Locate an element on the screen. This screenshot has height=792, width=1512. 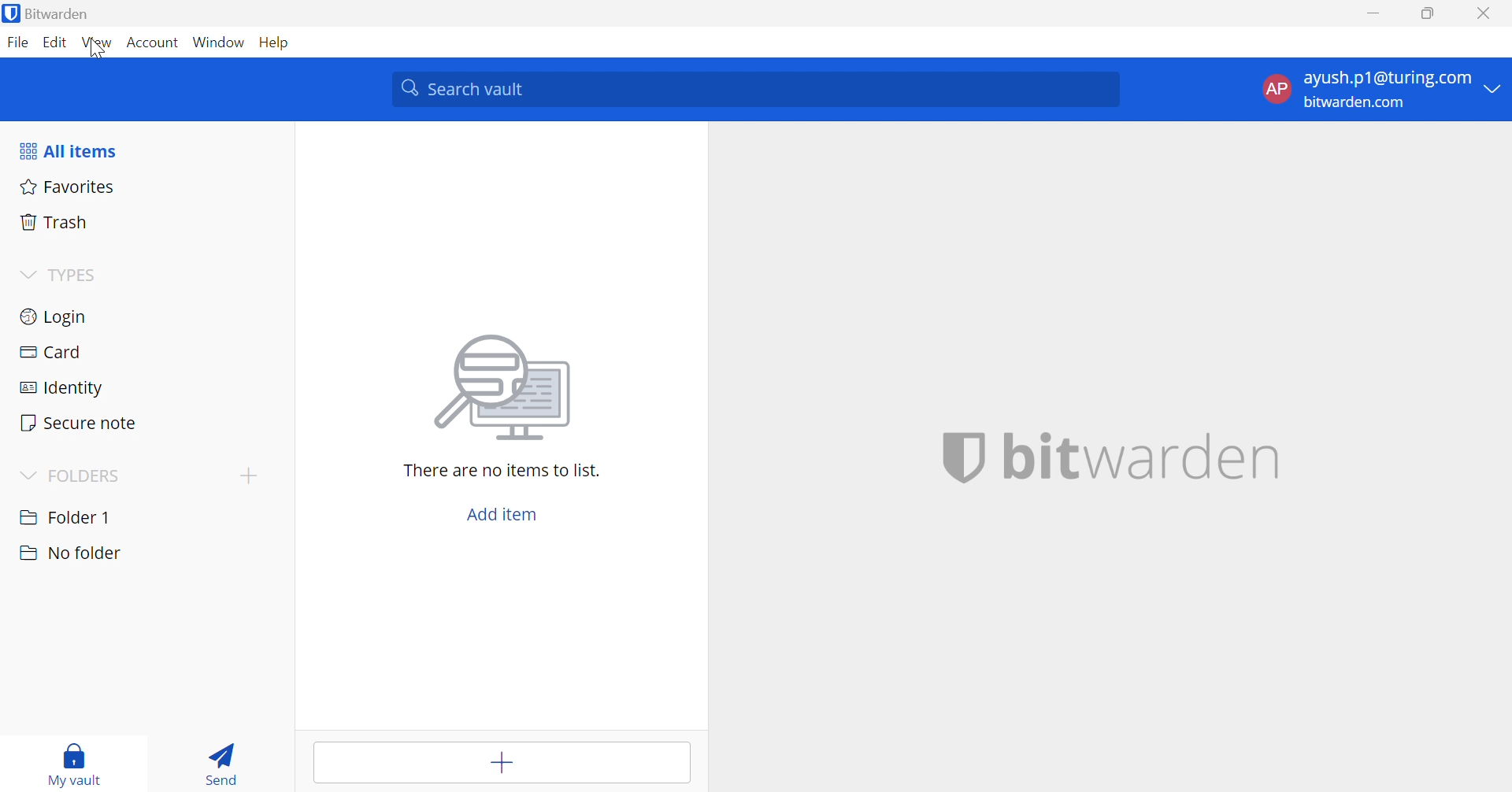
View is located at coordinates (98, 43).